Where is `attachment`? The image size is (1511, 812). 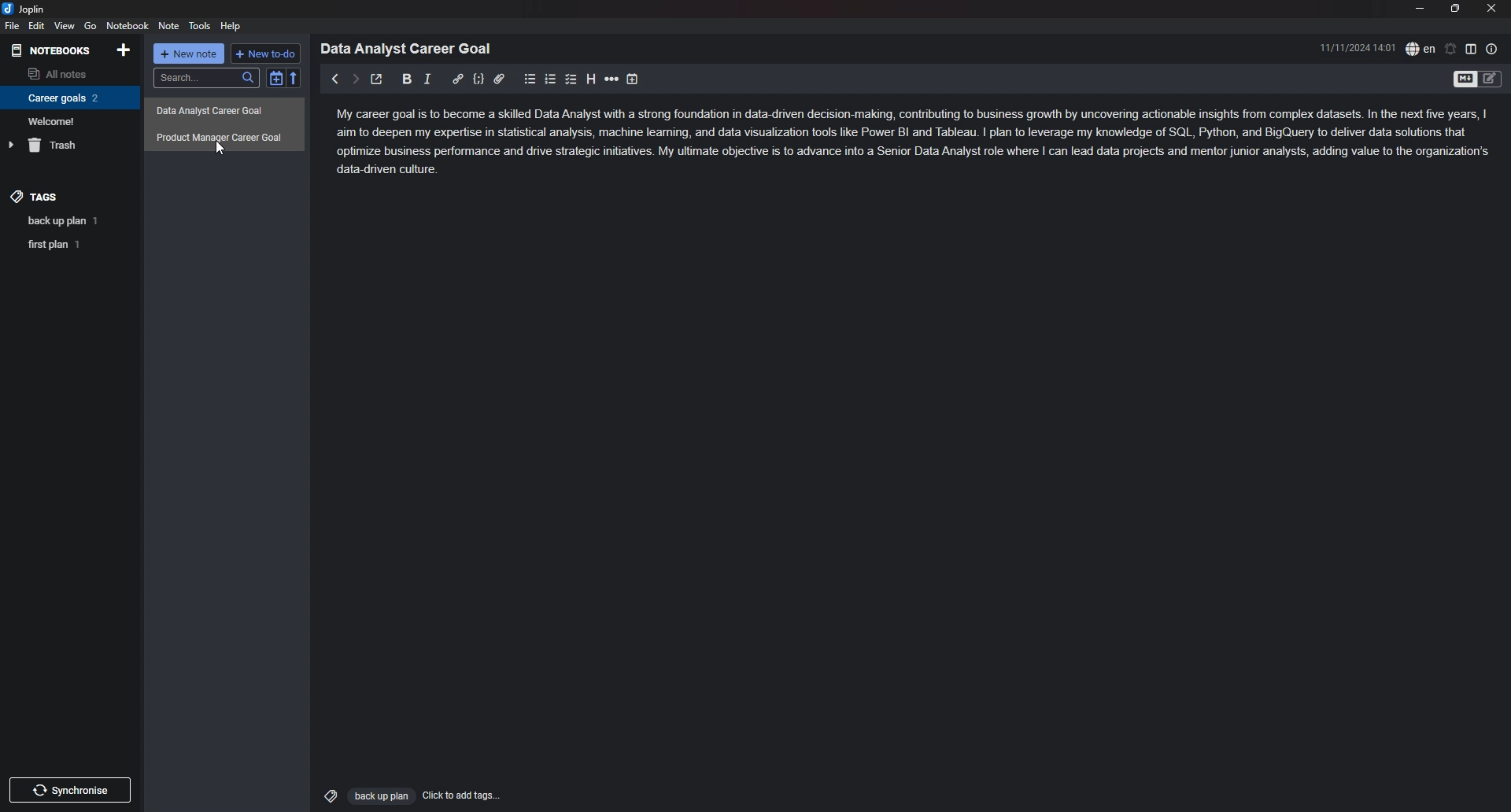 attachment is located at coordinates (499, 79).